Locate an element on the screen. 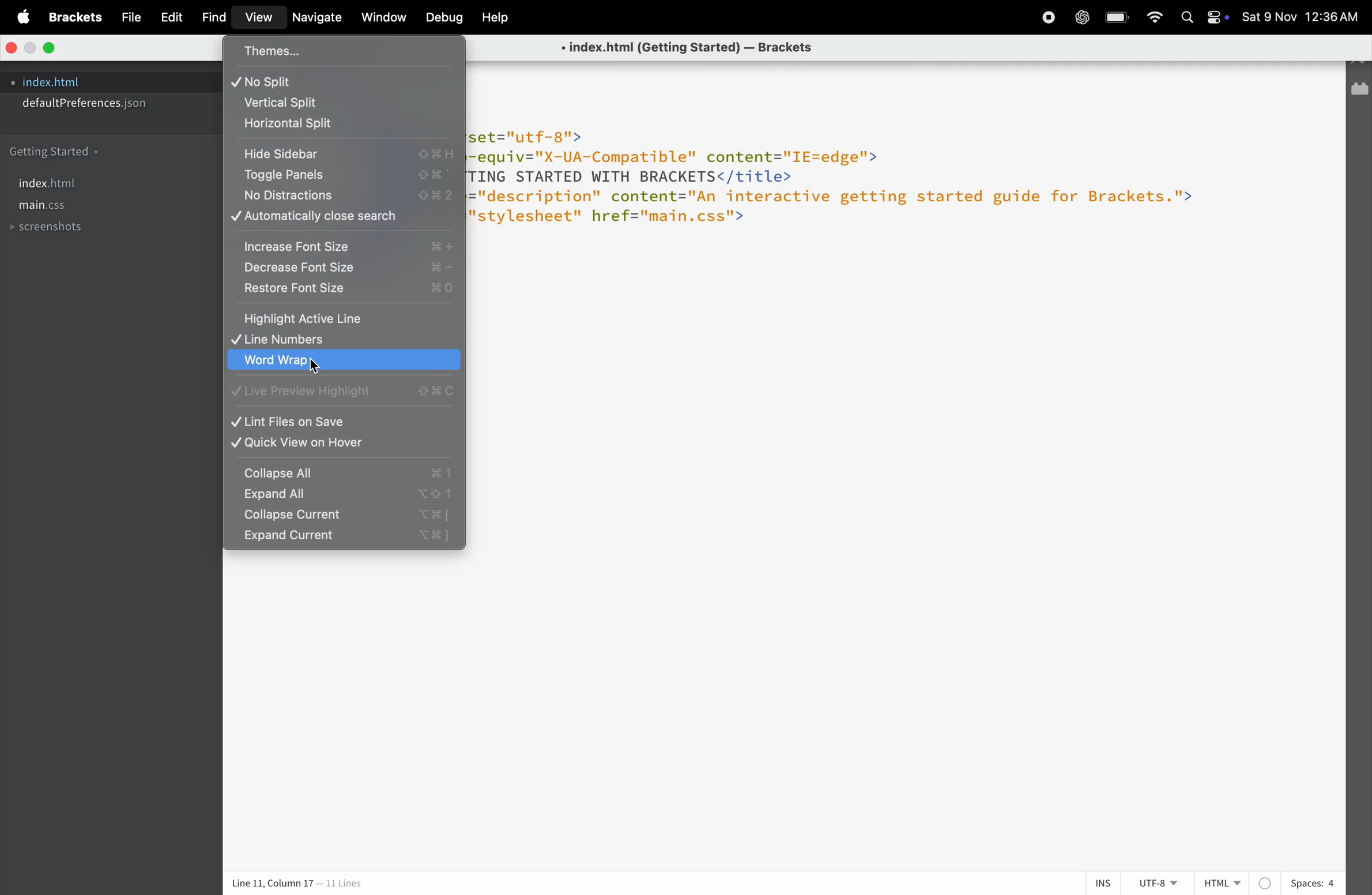 This screenshot has height=895, width=1372. time and date is located at coordinates (1303, 16).